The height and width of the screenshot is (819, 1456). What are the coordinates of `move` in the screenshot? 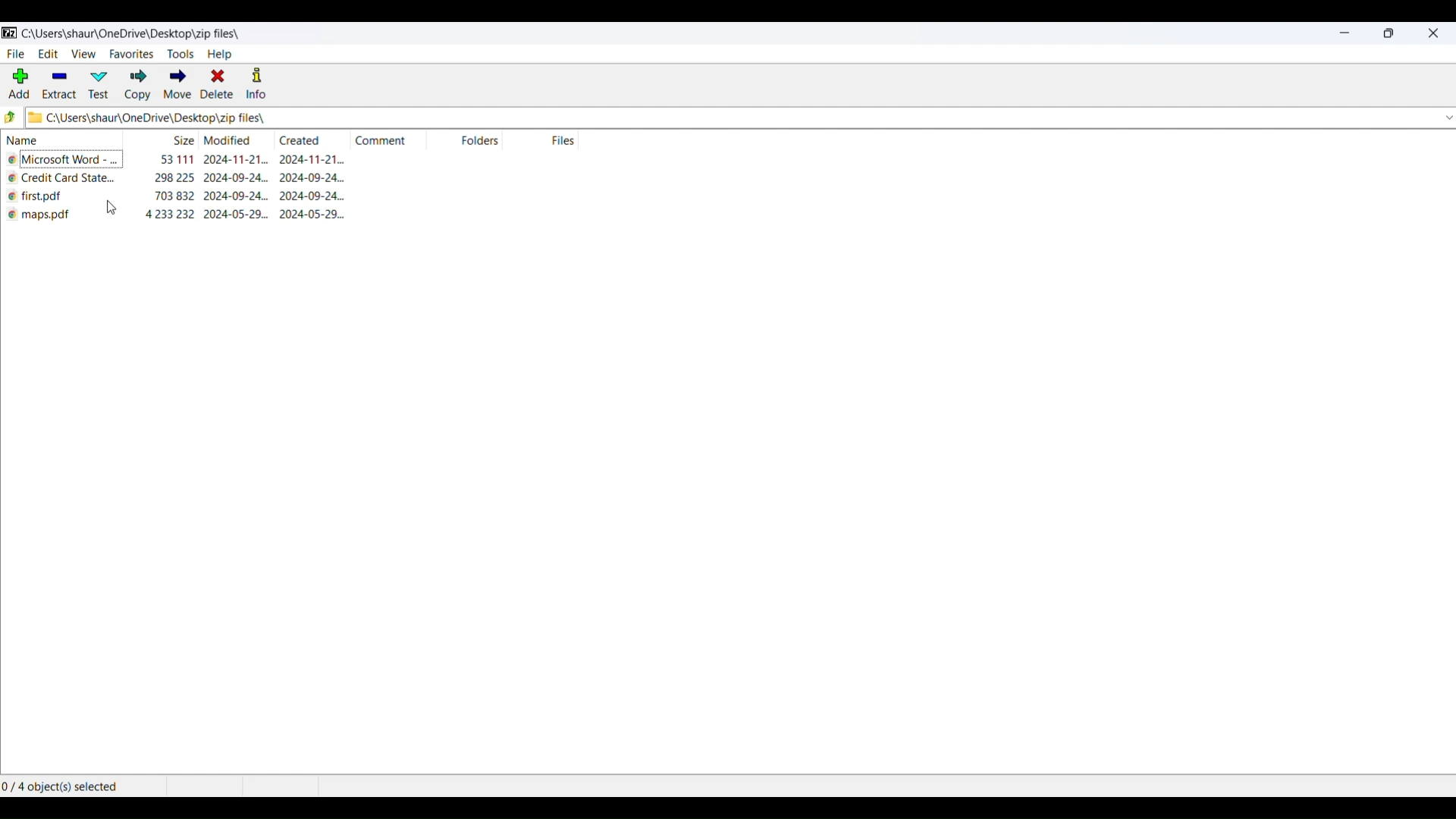 It's located at (174, 86).